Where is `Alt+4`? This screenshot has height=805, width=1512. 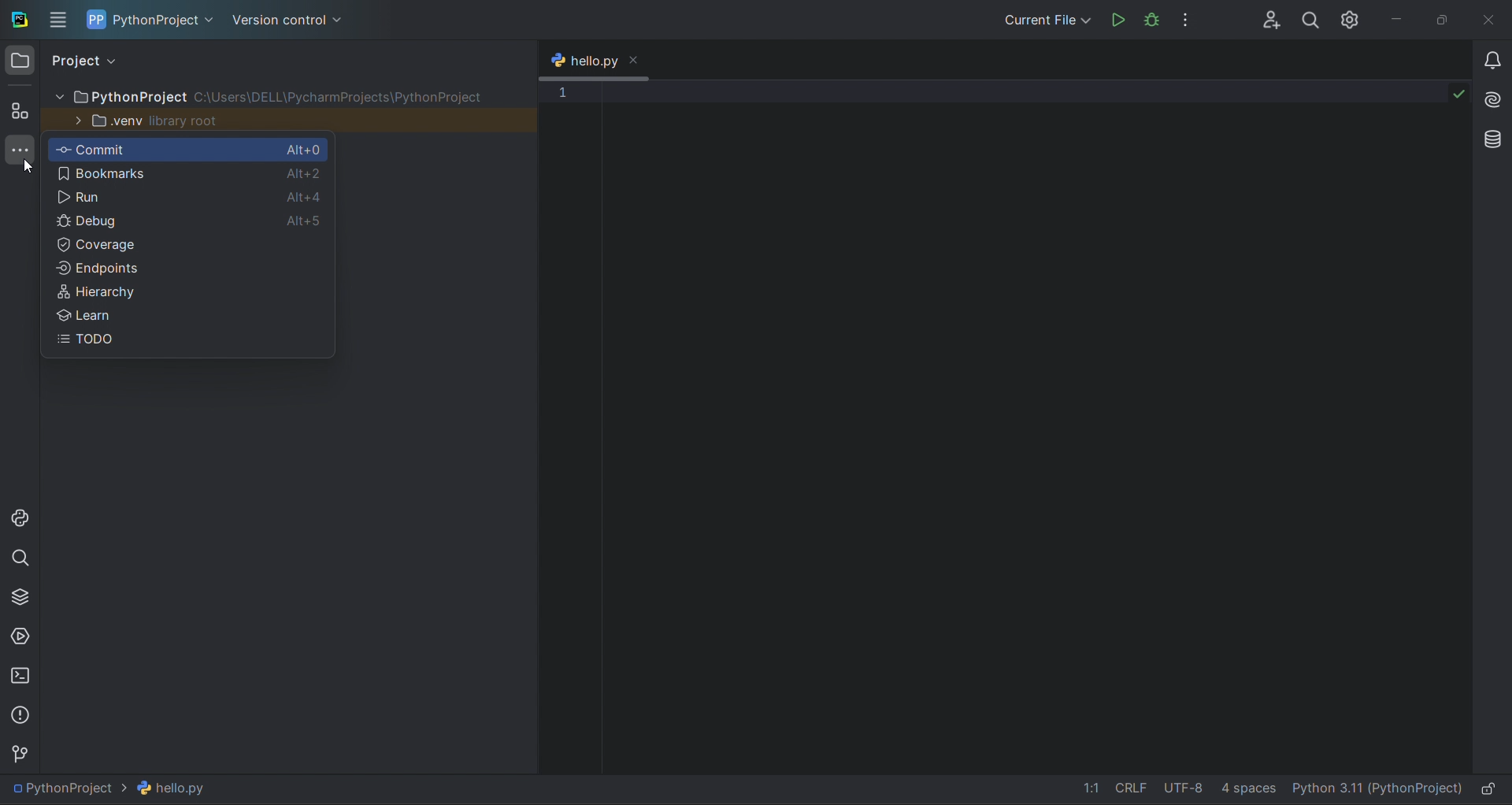
Alt+4 is located at coordinates (306, 198).